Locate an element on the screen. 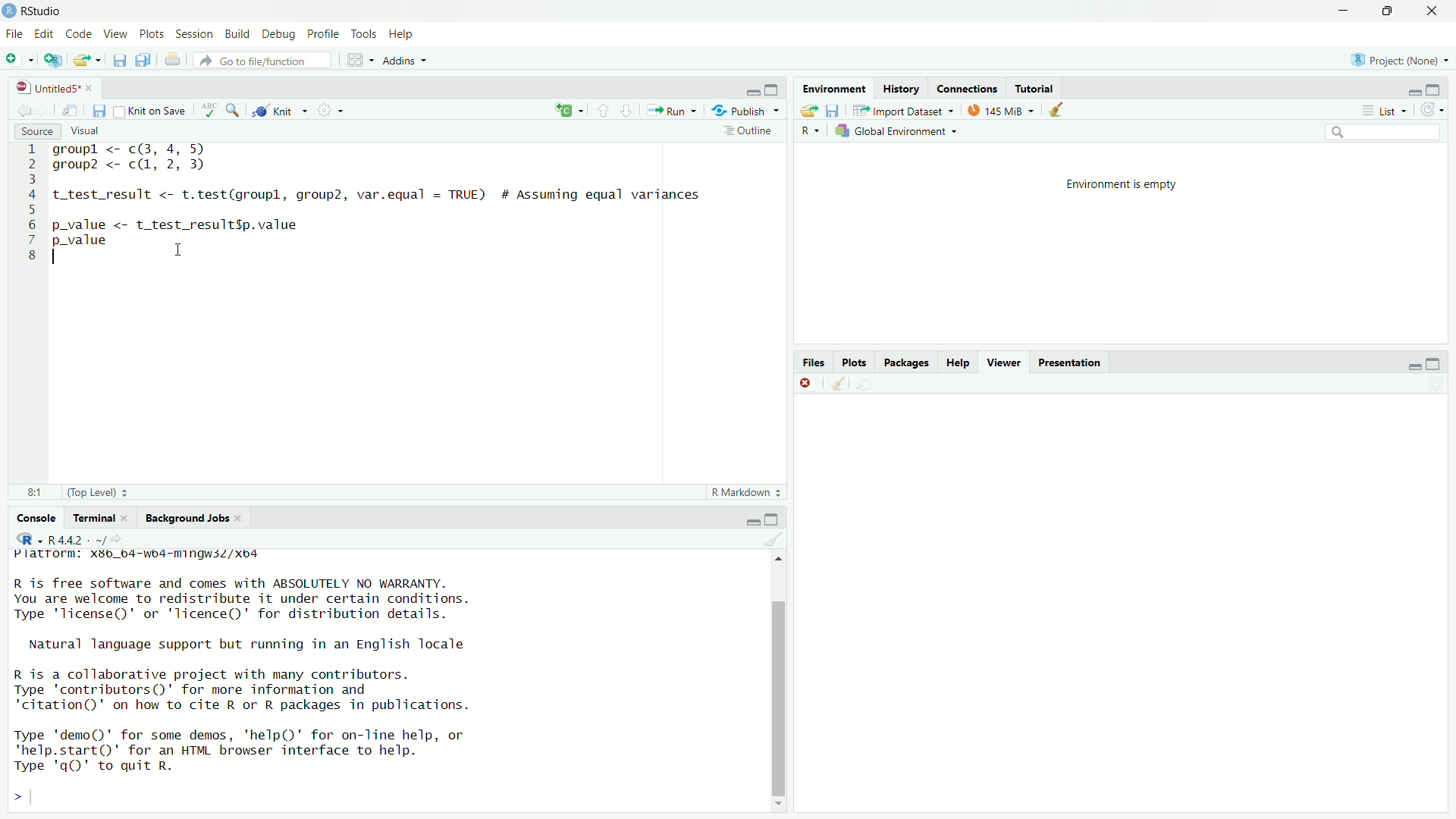  go to next section is located at coordinates (627, 108).